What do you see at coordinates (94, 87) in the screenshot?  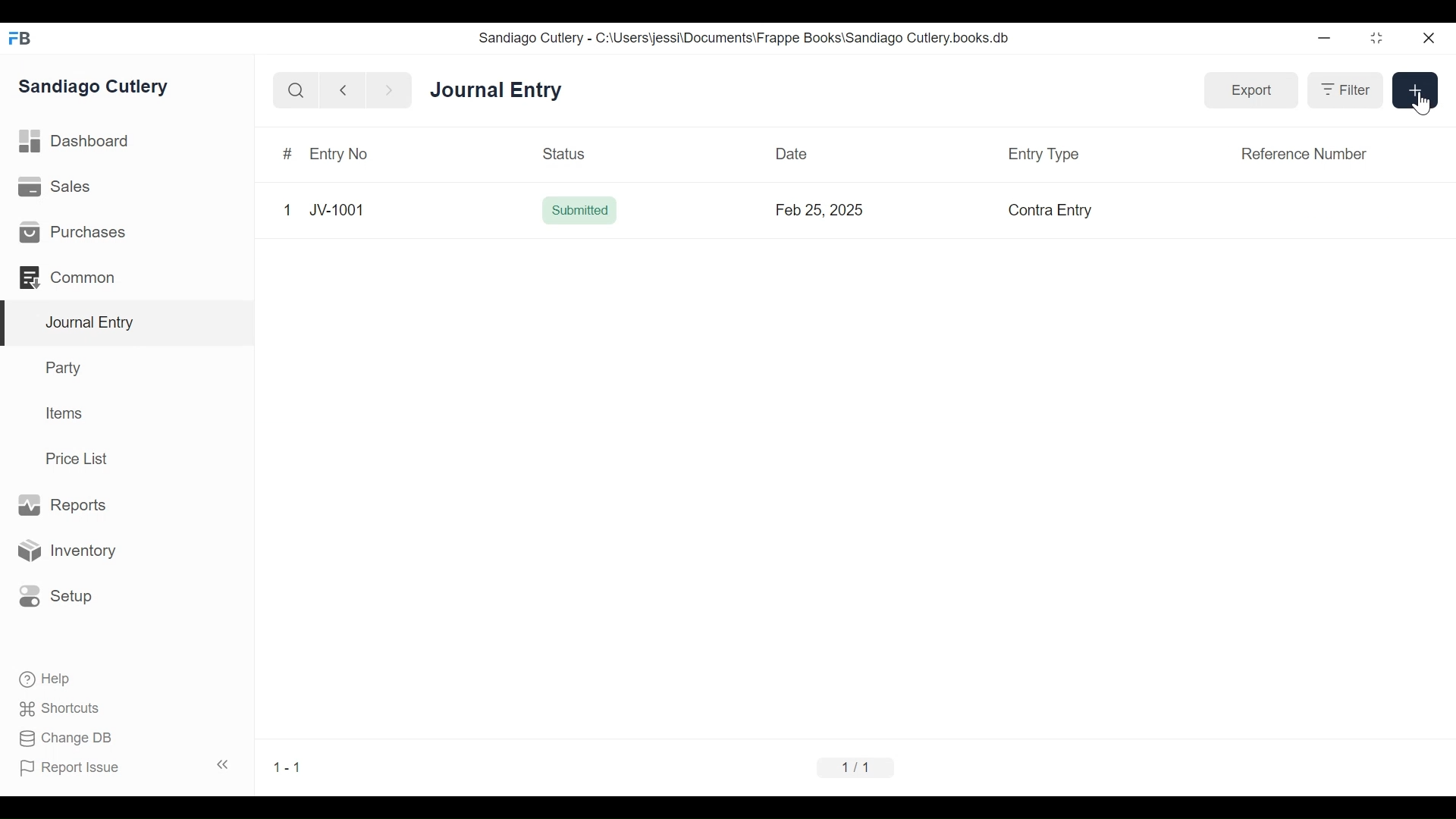 I see `Sandiago Cutlery` at bounding box center [94, 87].